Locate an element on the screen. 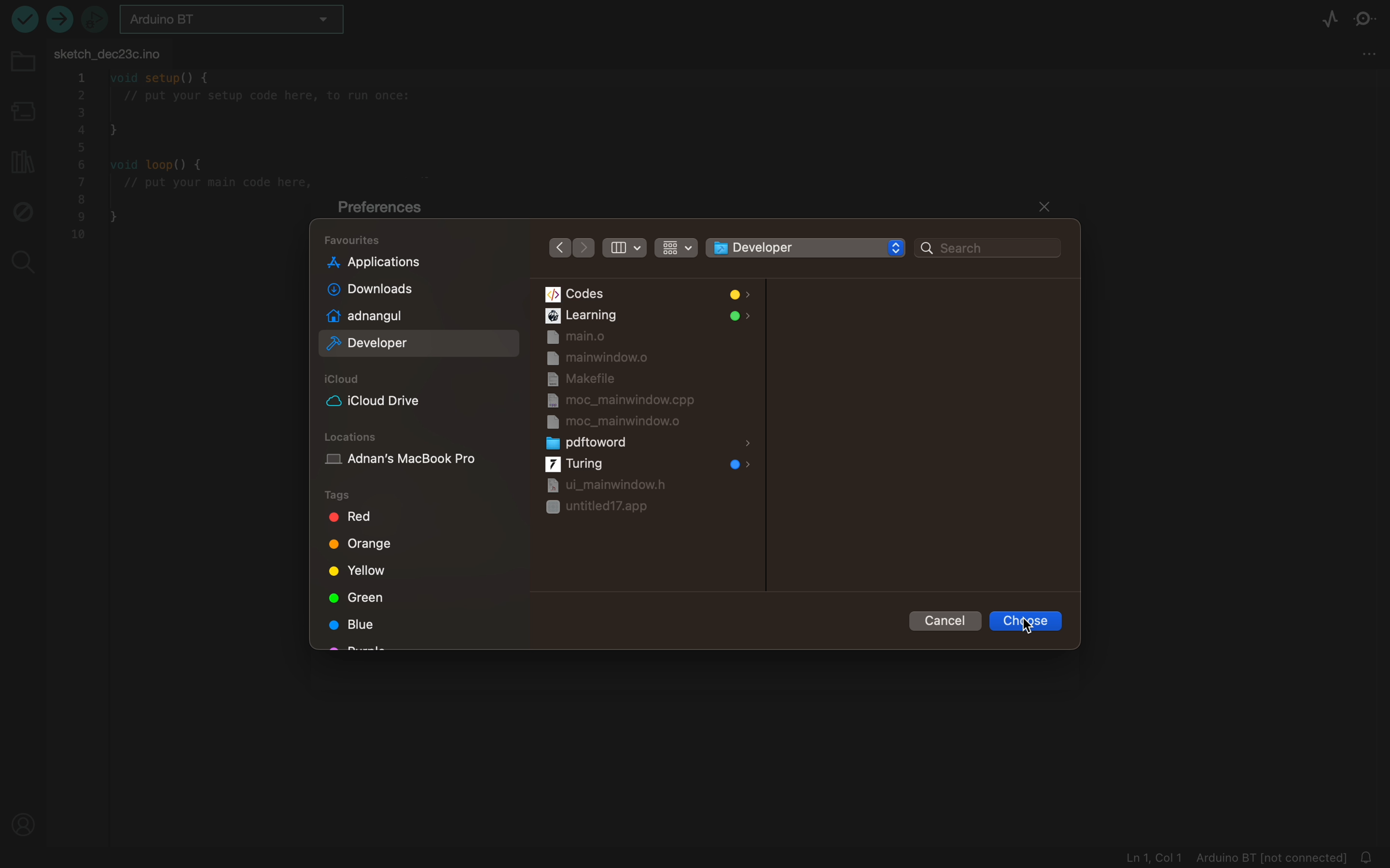 The width and height of the screenshot is (1390, 868). adnangul is located at coordinates (376, 316).